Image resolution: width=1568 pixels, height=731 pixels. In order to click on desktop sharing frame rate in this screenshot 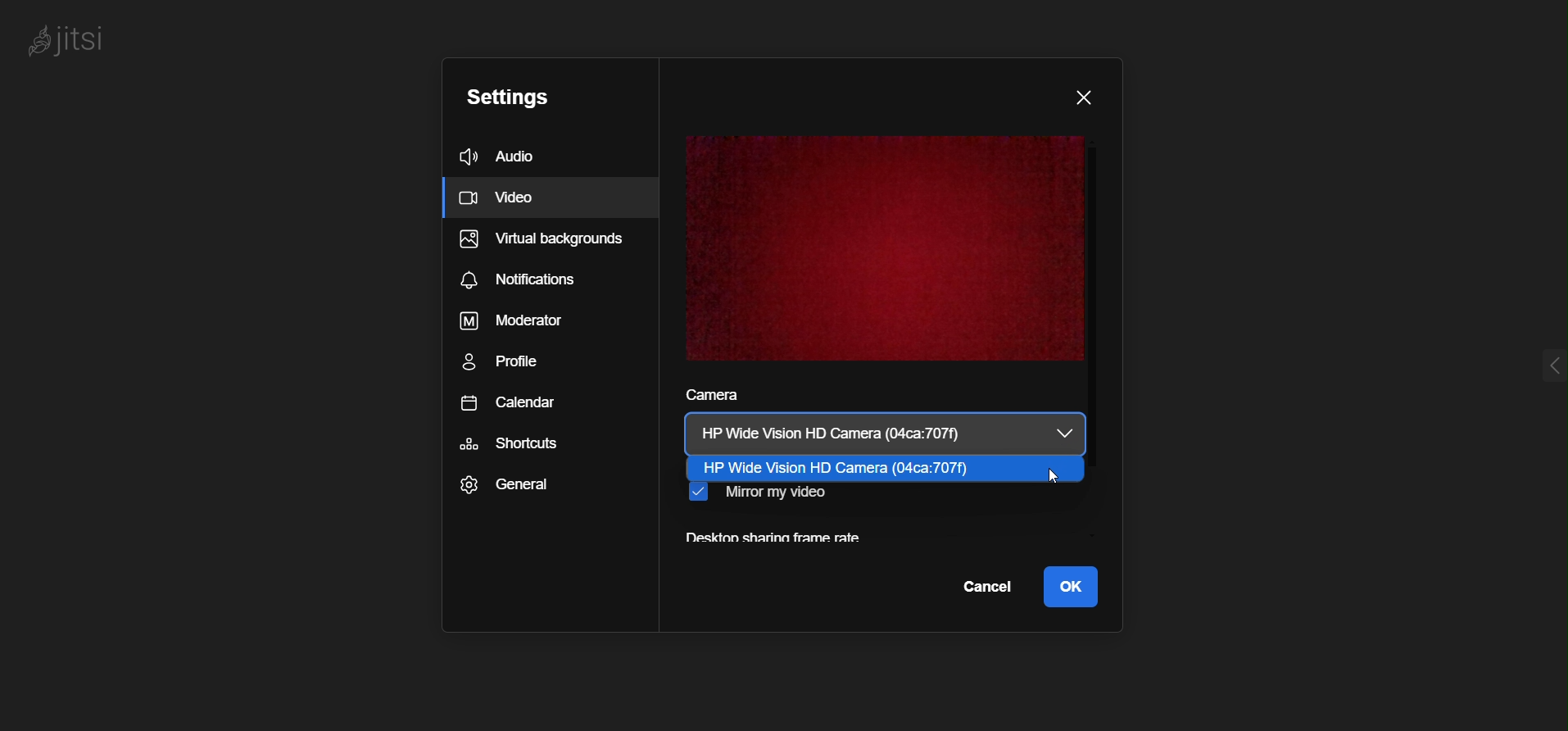, I will do `click(774, 540)`.